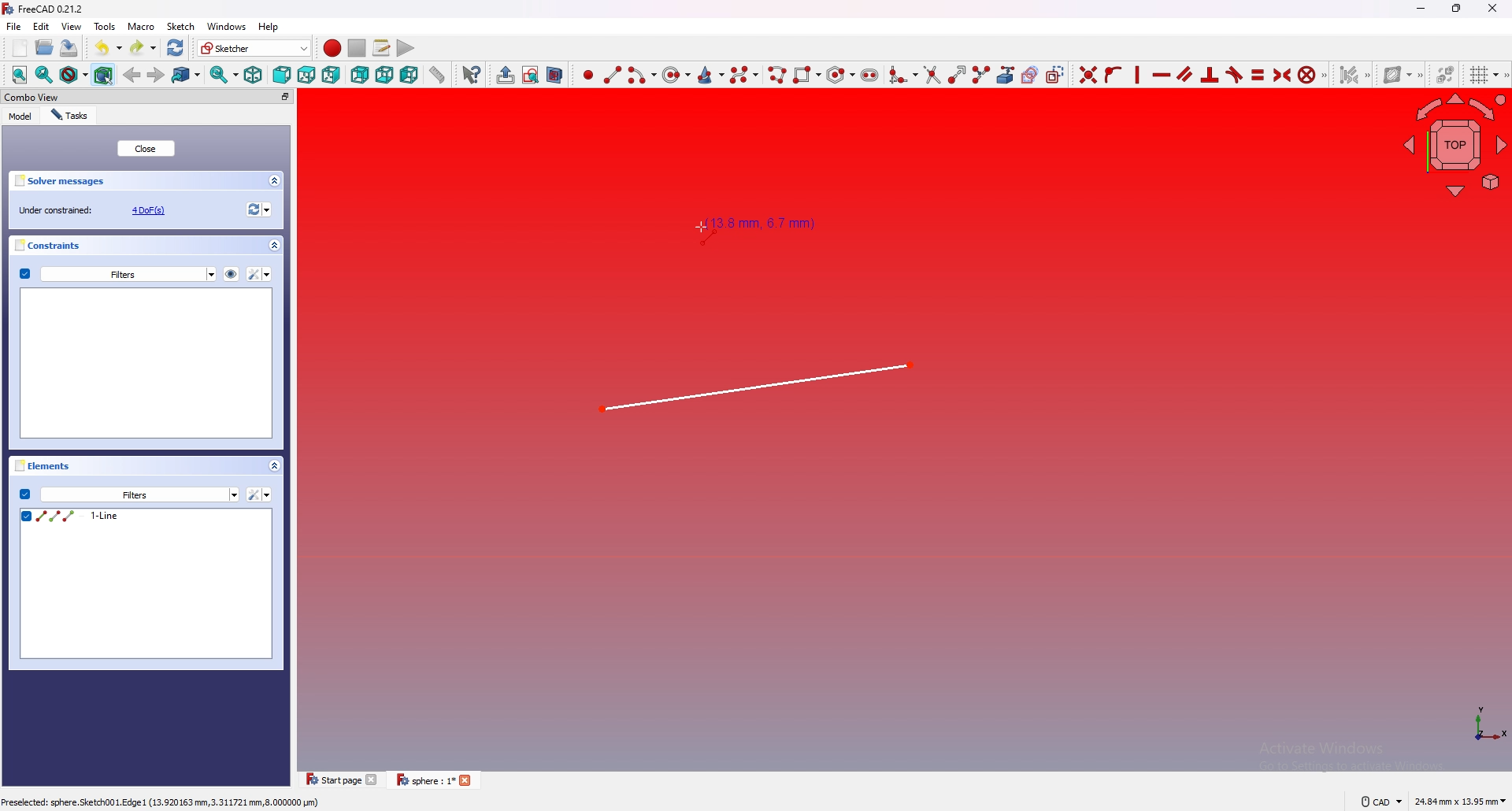 This screenshot has height=811, width=1512. What do you see at coordinates (42, 28) in the screenshot?
I see `Edit` at bounding box center [42, 28].